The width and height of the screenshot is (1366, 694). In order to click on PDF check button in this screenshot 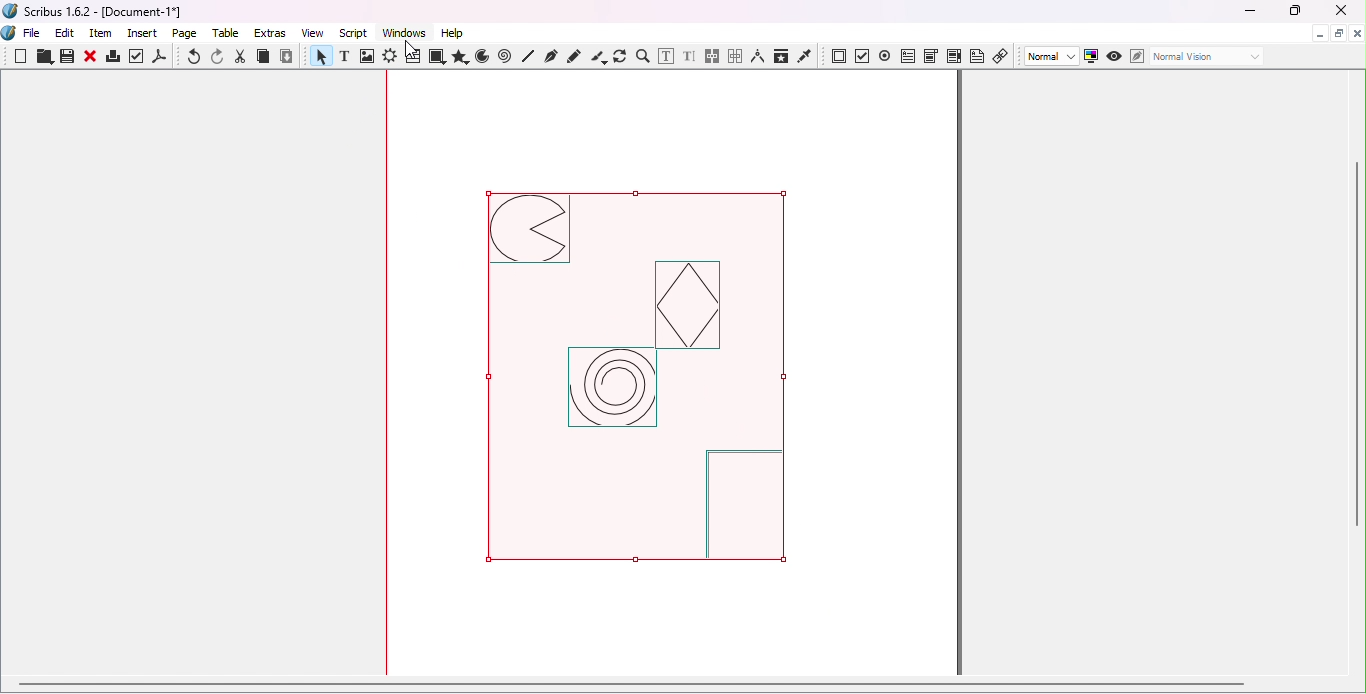, I will do `click(863, 55)`.